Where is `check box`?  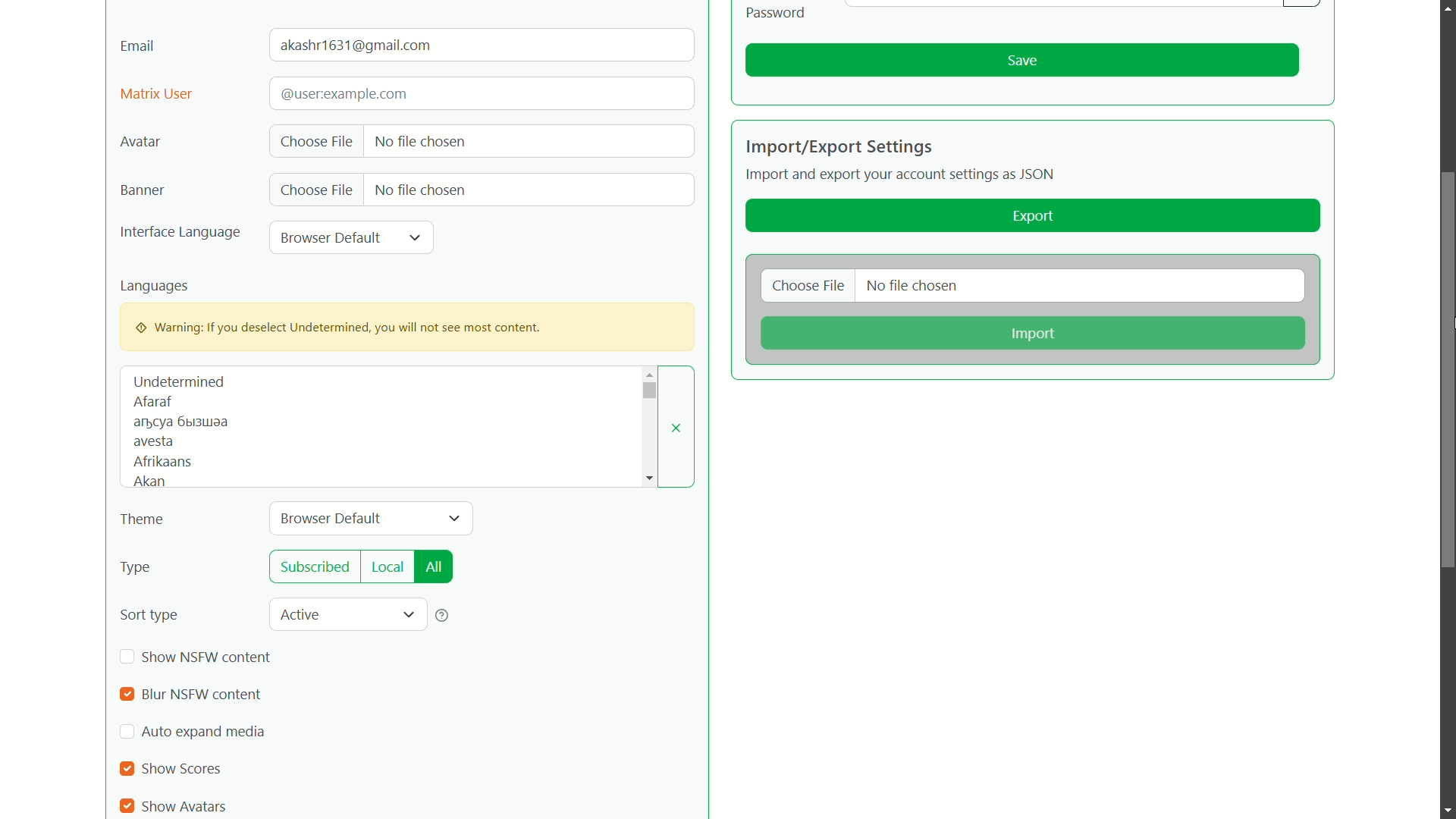
check box is located at coordinates (127, 733).